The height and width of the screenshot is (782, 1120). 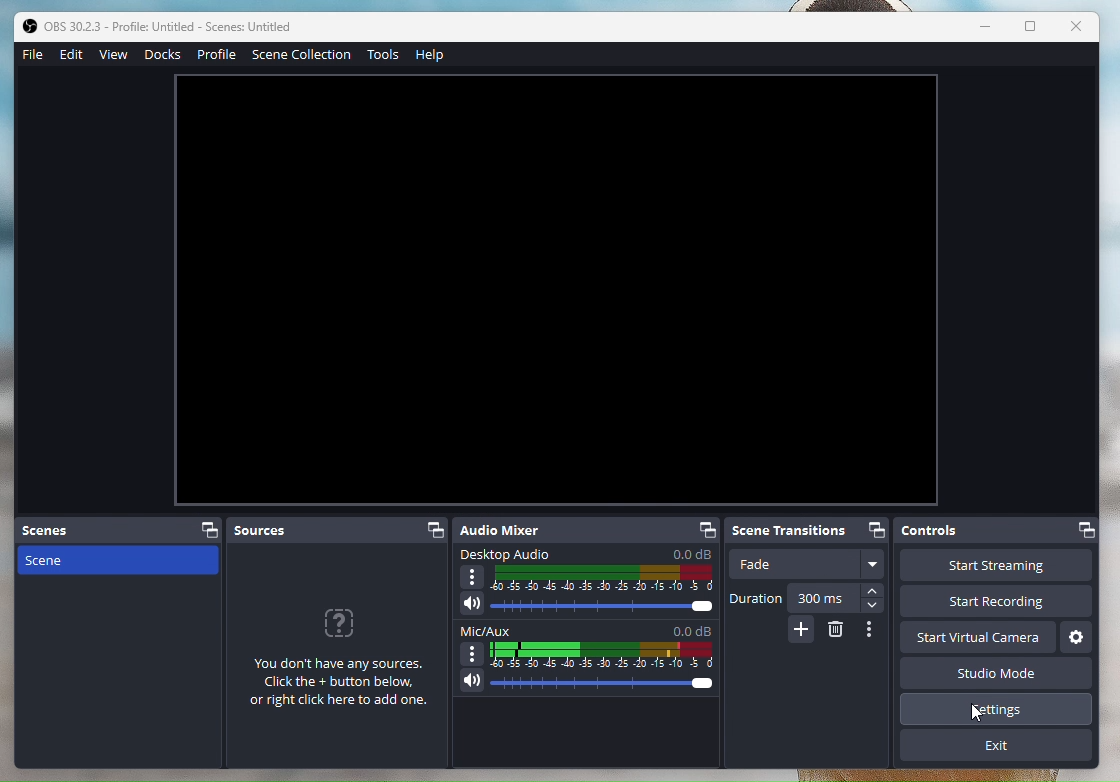 I want to click on Profile, so click(x=219, y=54).